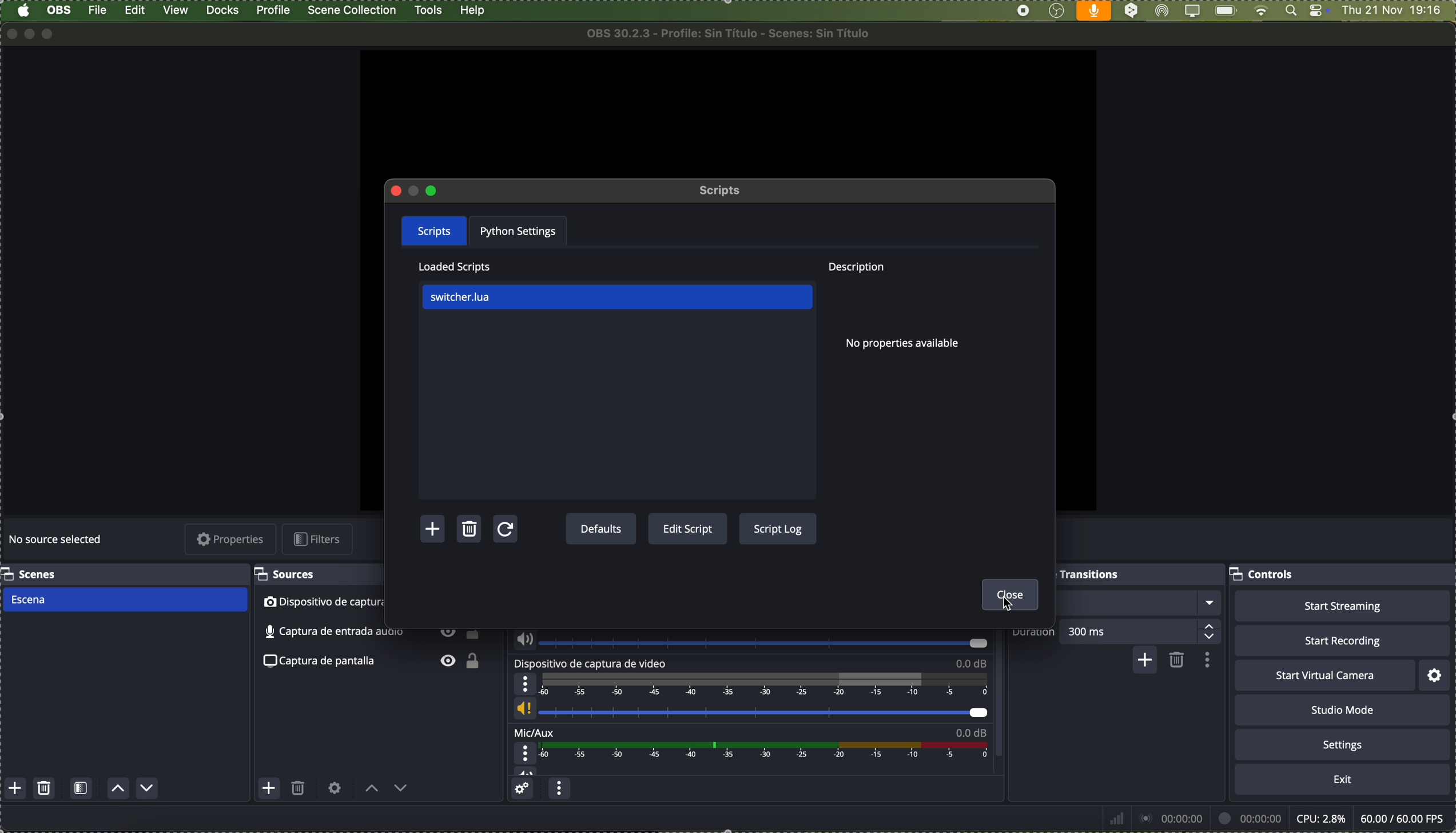 The height and width of the screenshot is (833, 1456). Describe the element at coordinates (1343, 710) in the screenshot. I see `studio mode` at that location.